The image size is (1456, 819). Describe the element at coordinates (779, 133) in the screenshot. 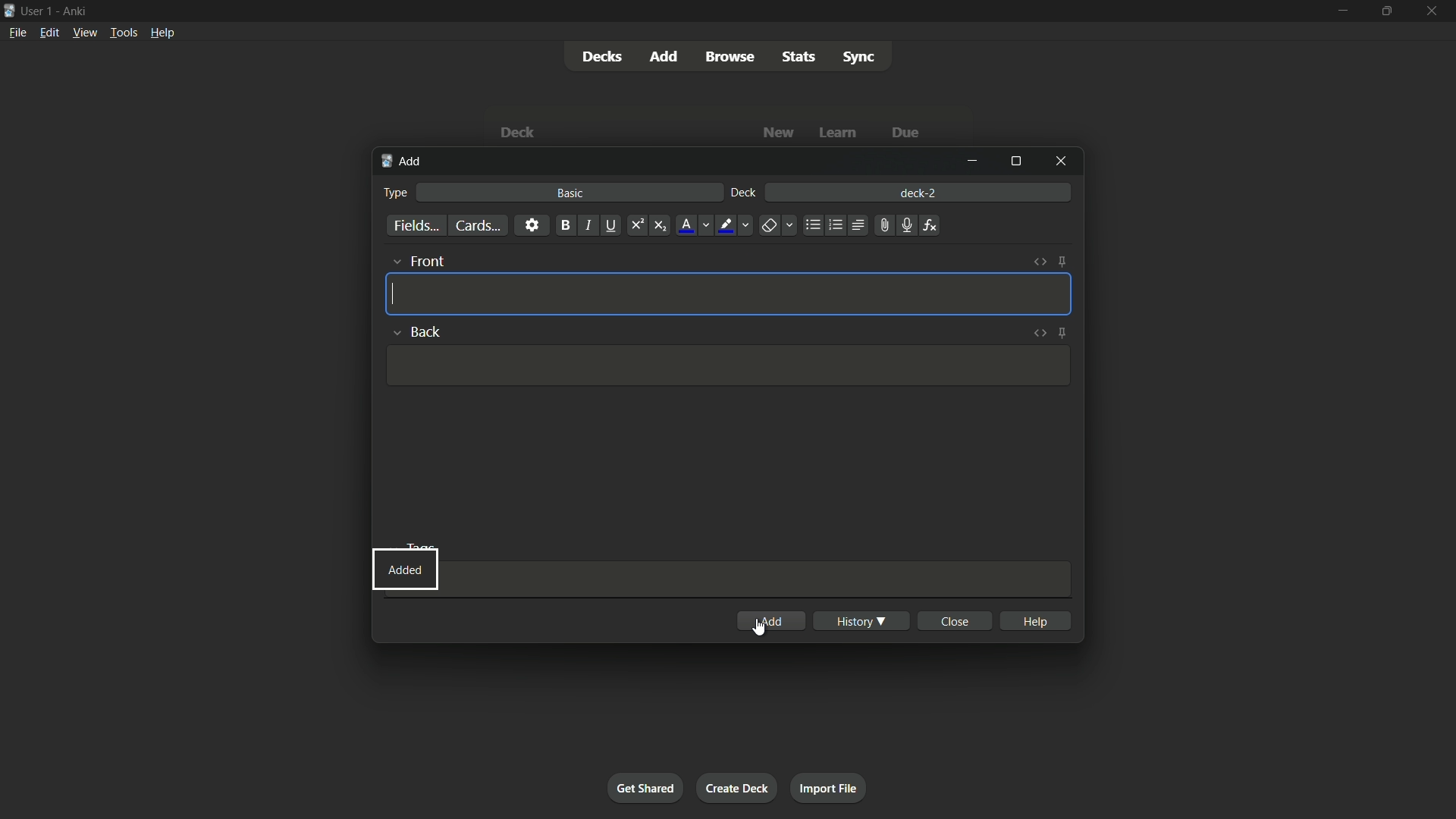

I see `new` at that location.